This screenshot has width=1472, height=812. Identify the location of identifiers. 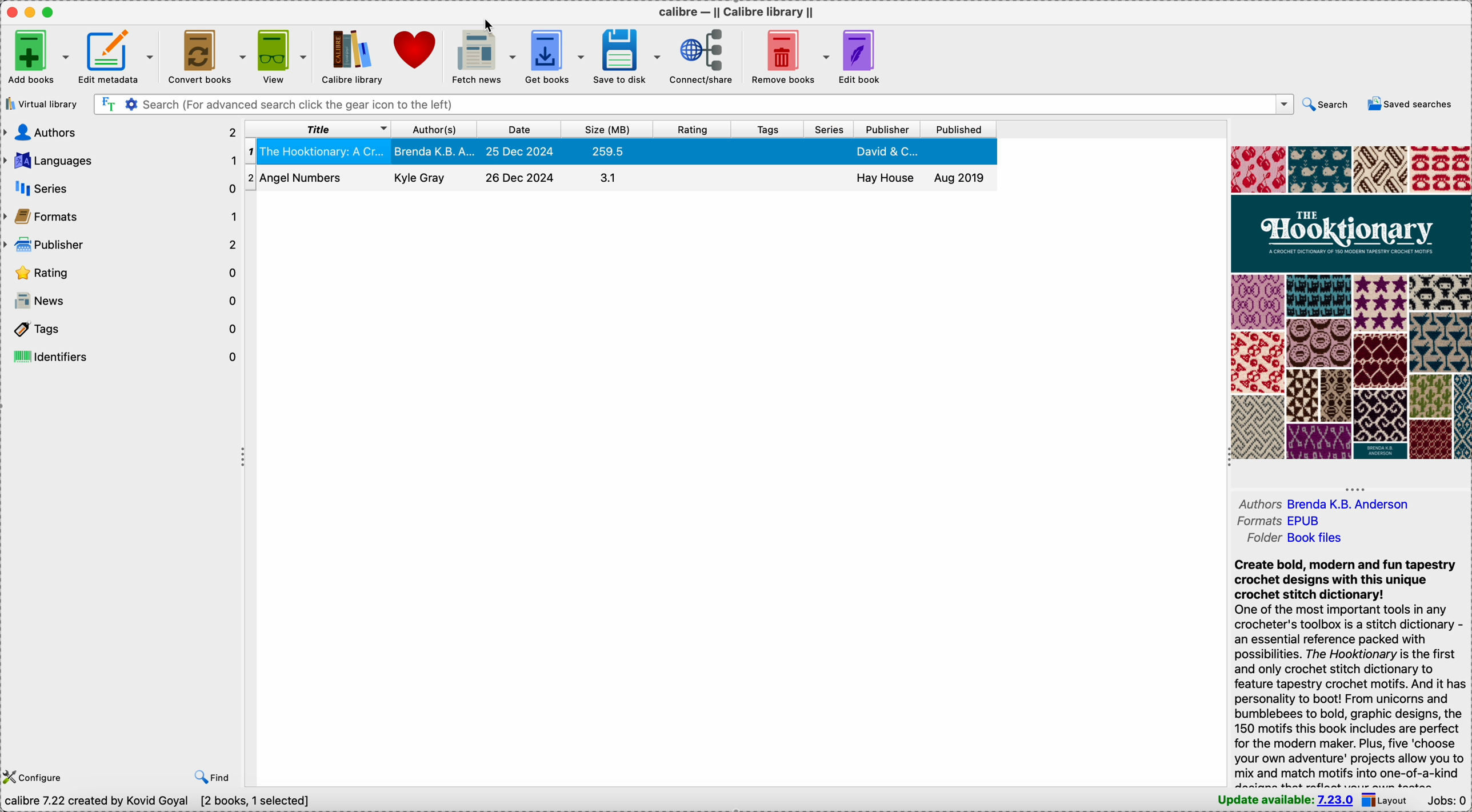
(125, 354).